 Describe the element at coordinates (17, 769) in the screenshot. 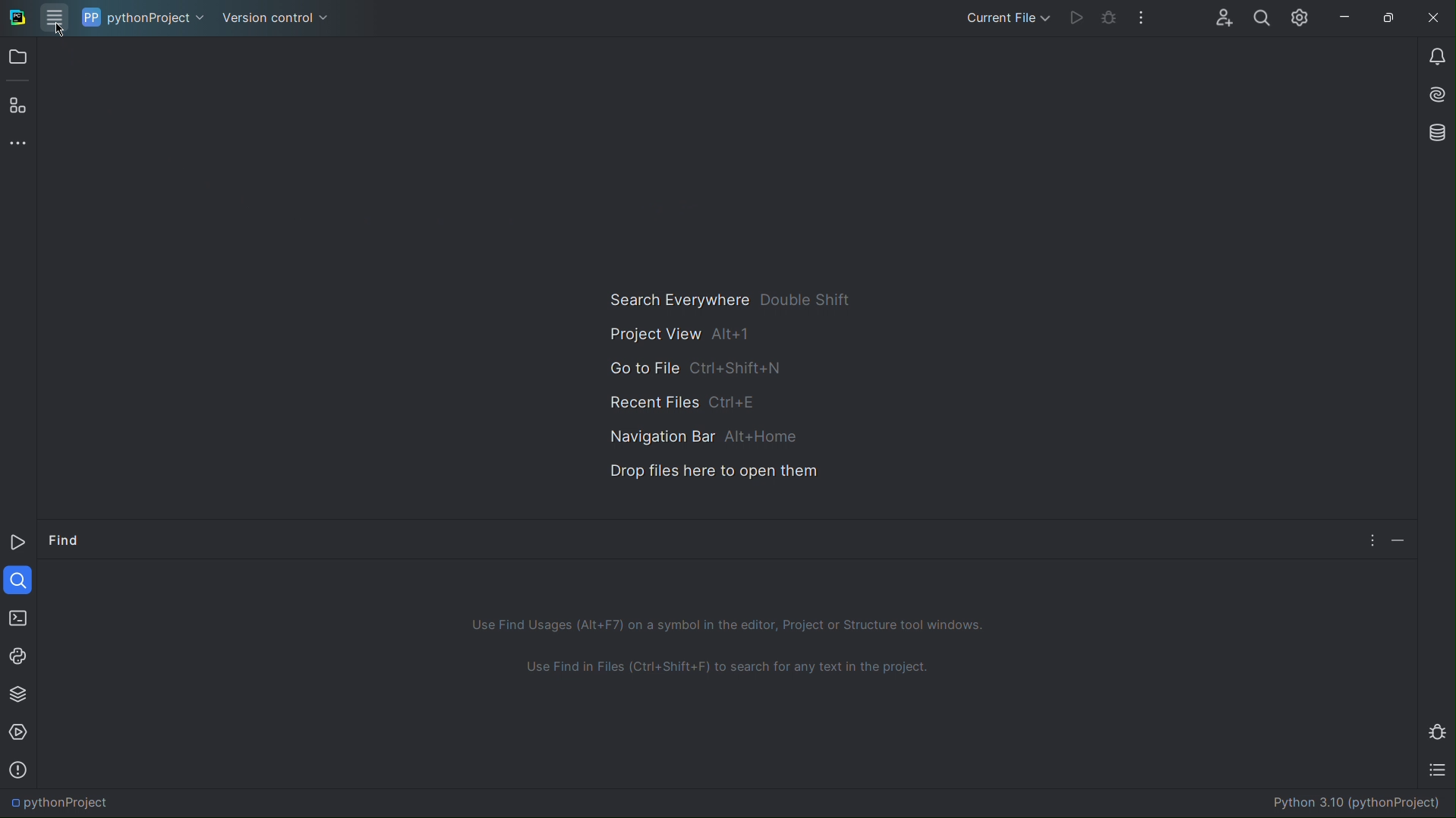

I see `Problems` at that location.